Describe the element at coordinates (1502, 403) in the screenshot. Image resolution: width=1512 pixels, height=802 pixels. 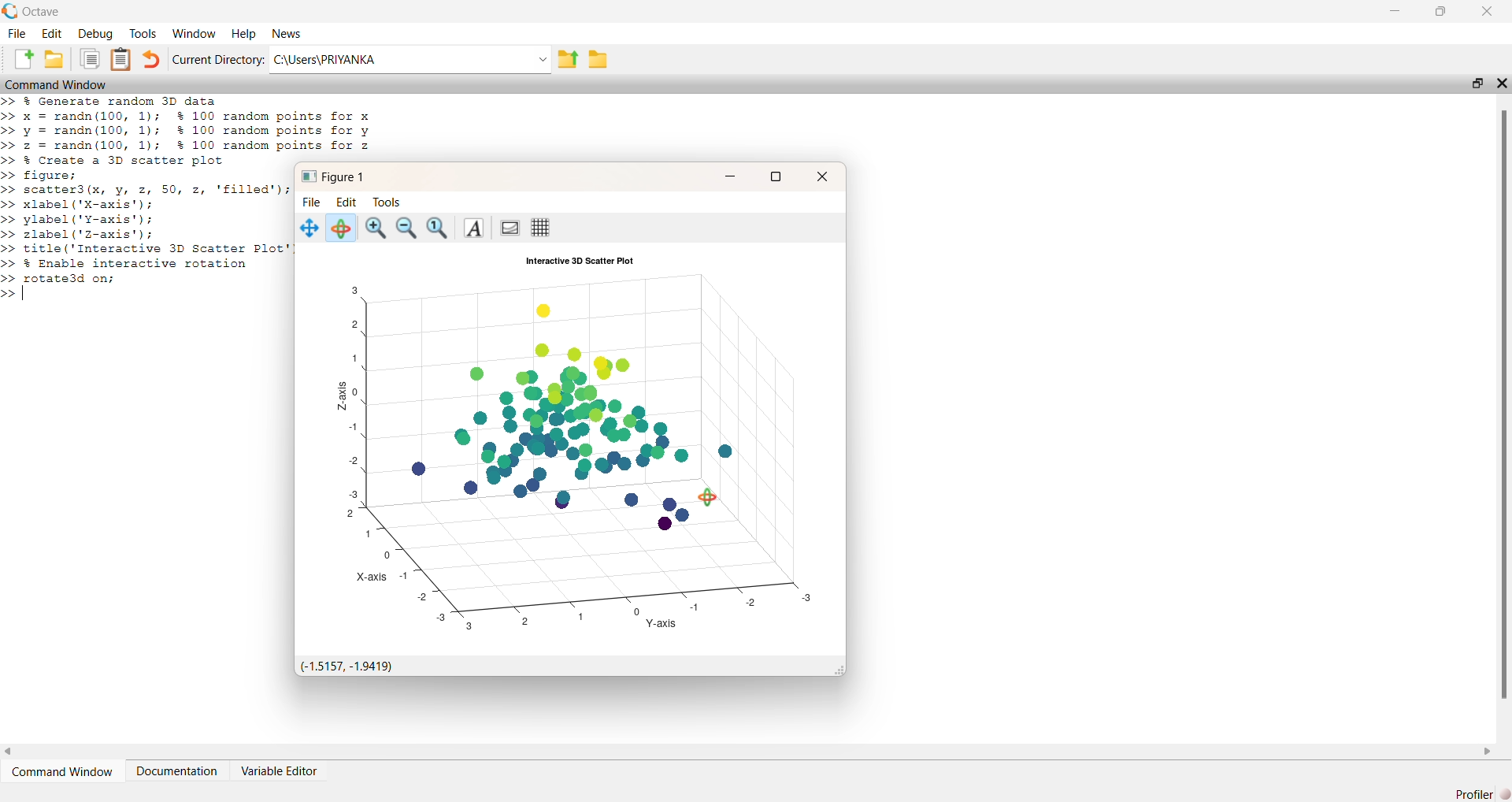
I see `scroll bar` at that location.